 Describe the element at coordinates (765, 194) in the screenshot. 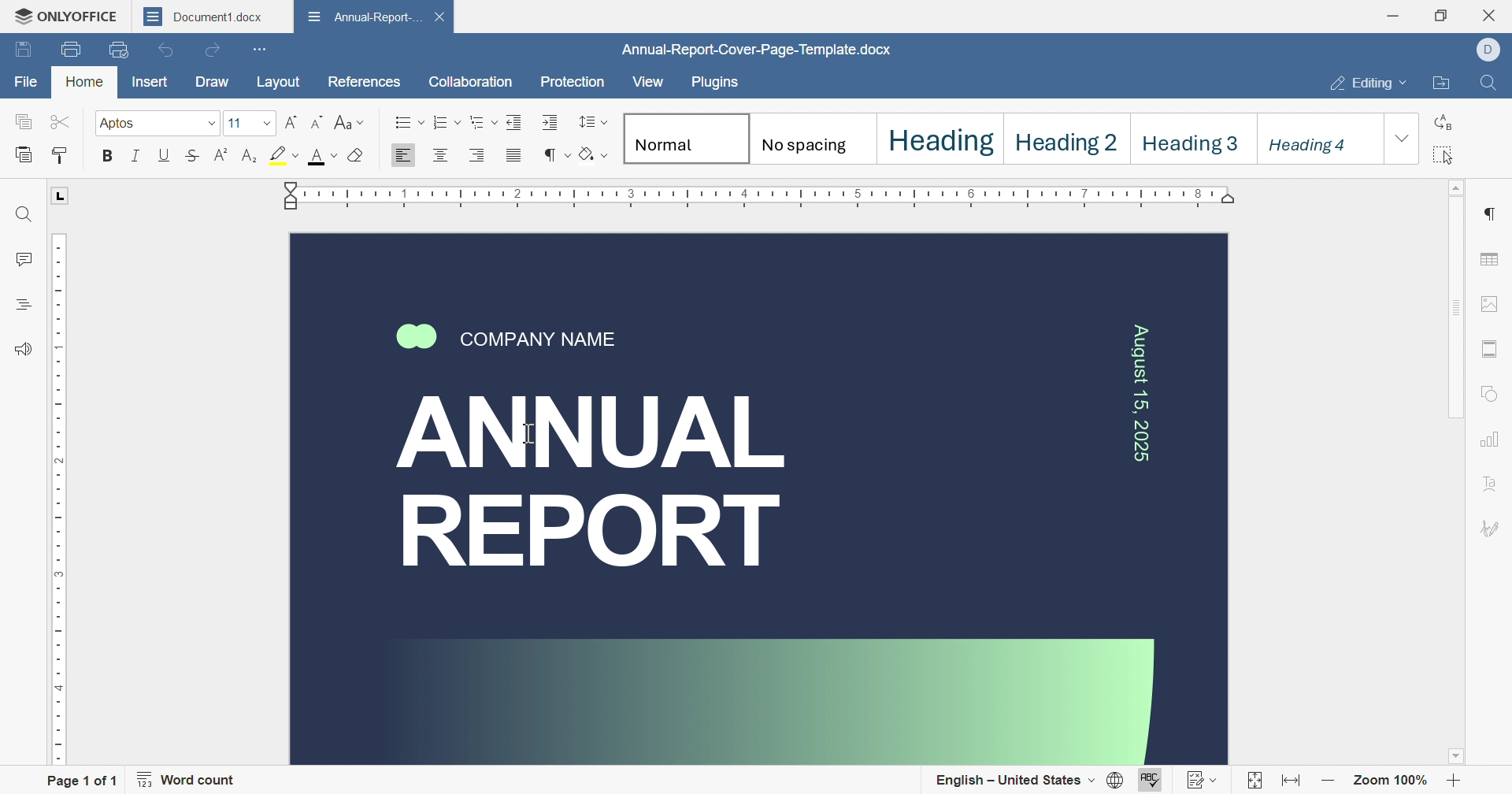

I see `ruler` at that location.